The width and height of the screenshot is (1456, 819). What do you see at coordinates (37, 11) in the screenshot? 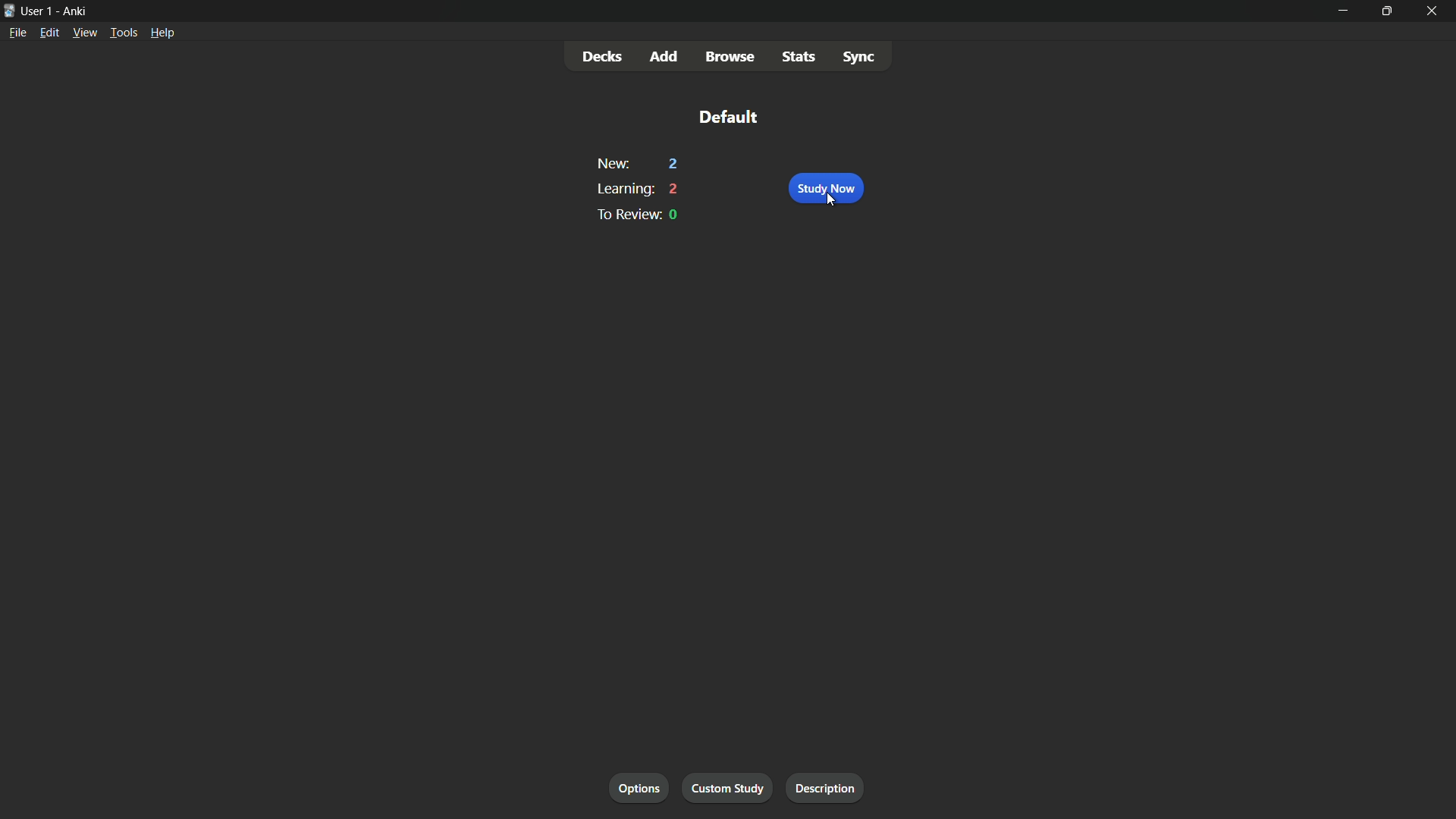
I see `user 1` at bounding box center [37, 11].